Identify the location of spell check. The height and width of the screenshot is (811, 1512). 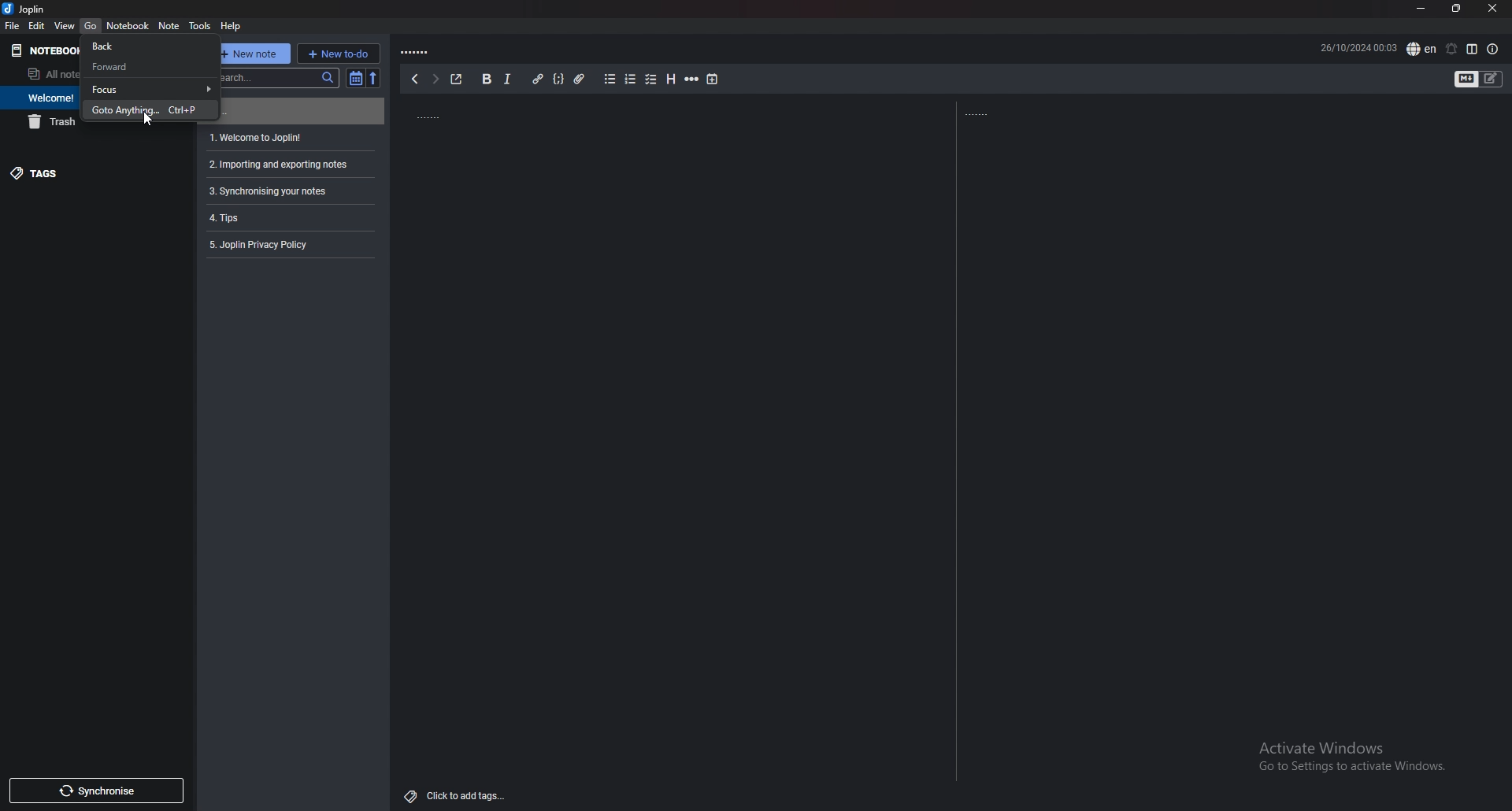
(1421, 48).